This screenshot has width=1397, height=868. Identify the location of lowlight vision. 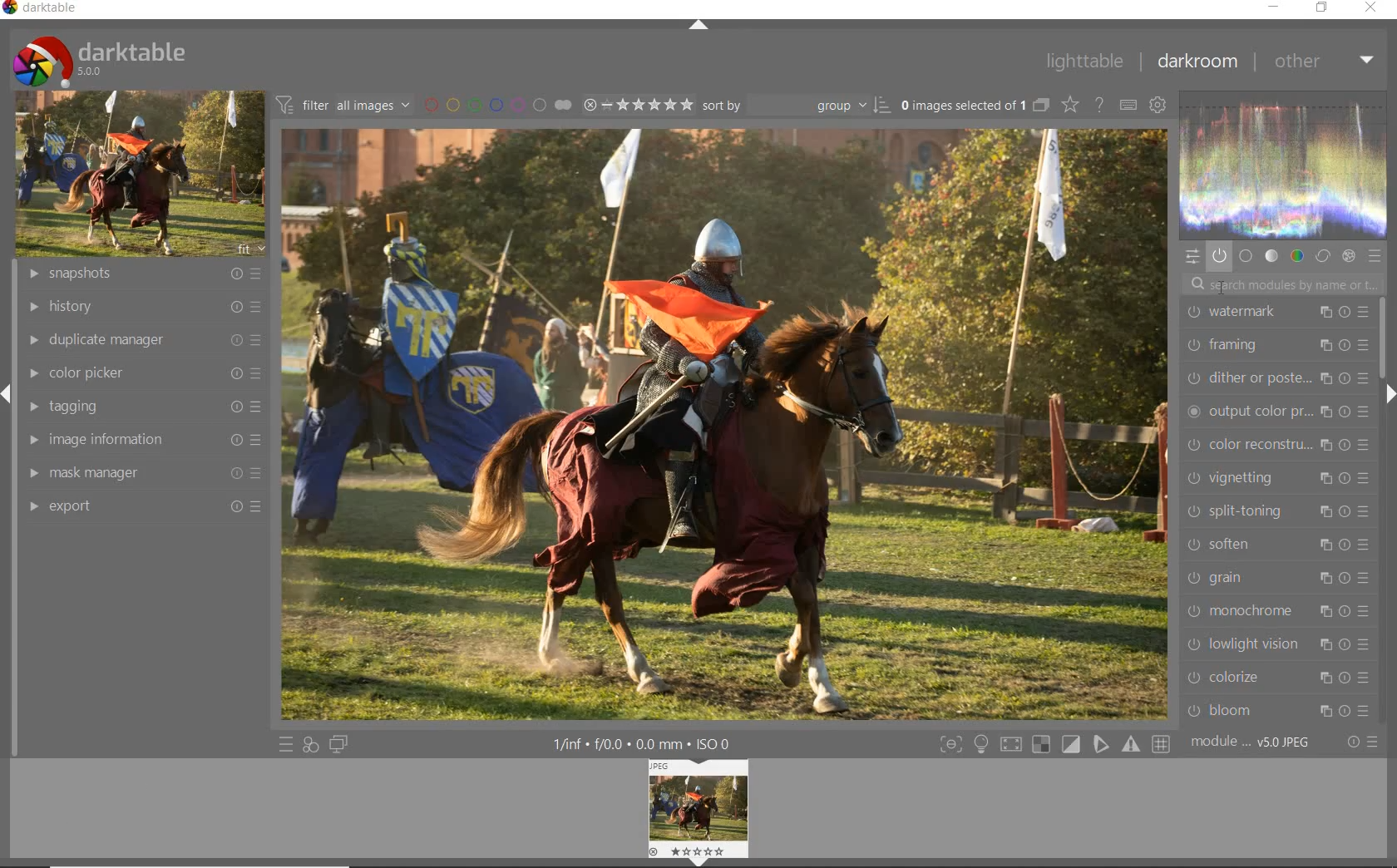
(1279, 643).